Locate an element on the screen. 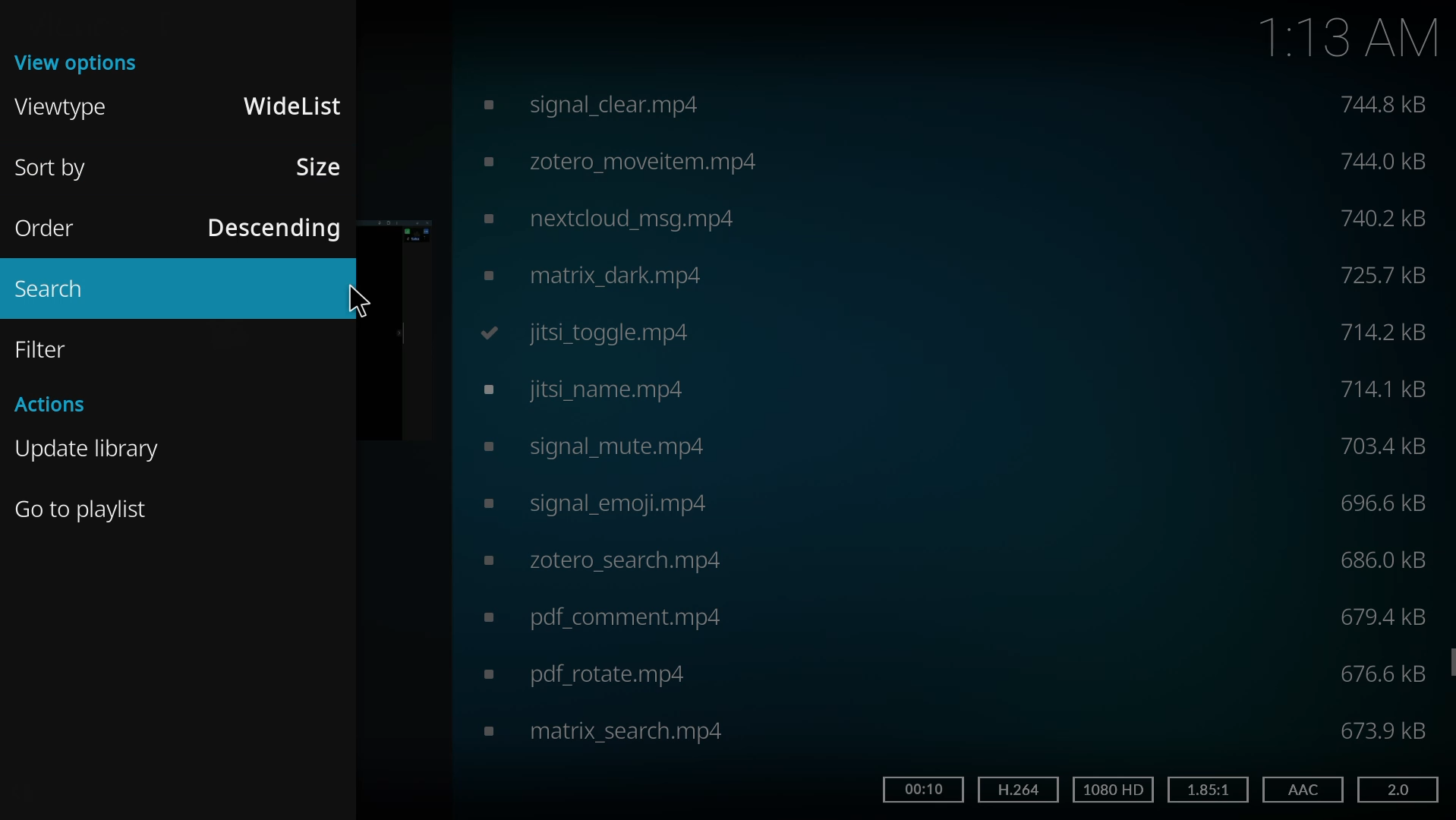 The height and width of the screenshot is (820, 1456). update library is located at coordinates (88, 454).